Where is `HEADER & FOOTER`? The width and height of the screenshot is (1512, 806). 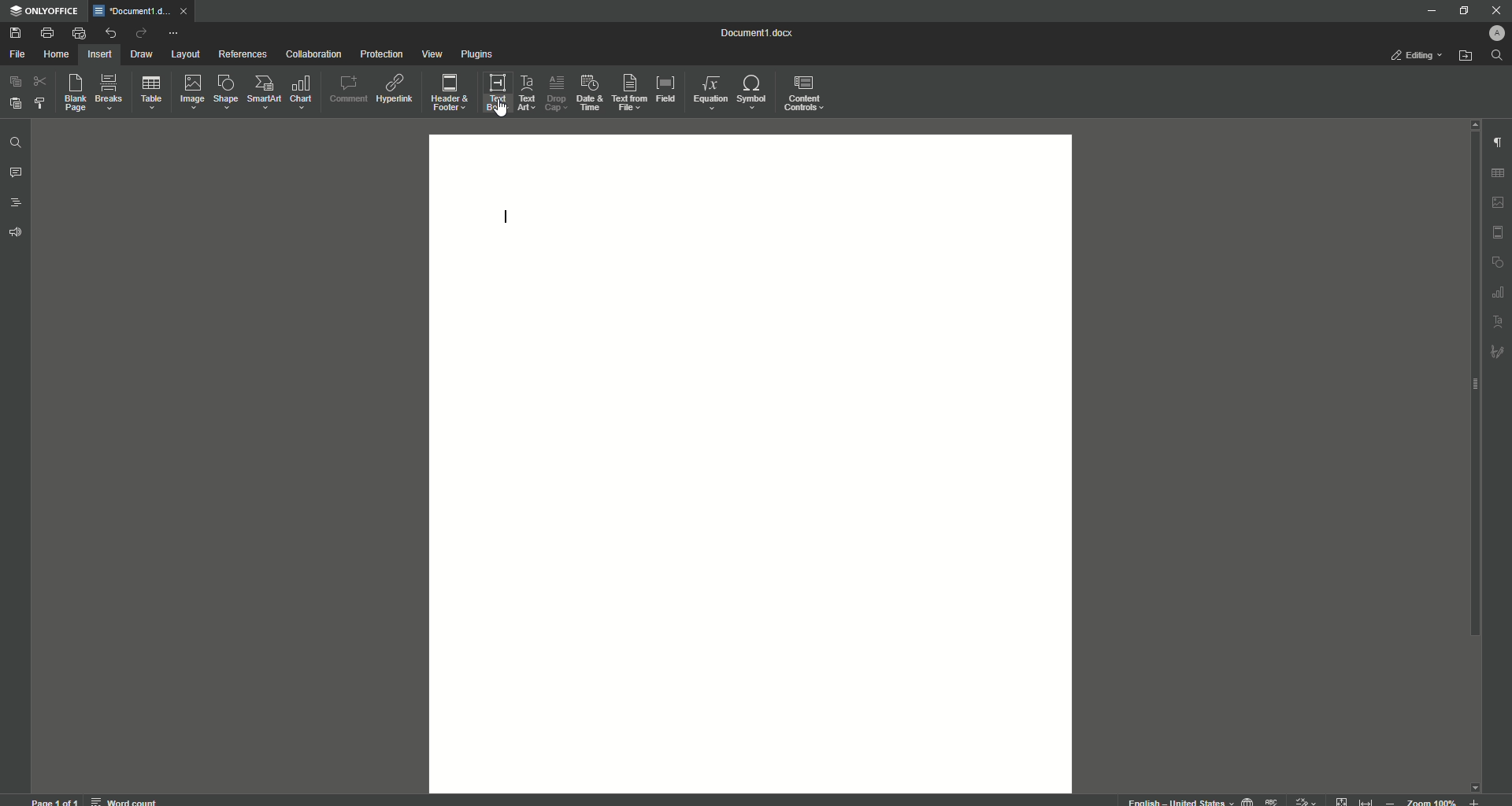 HEADER & FOOTER is located at coordinates (1498, 233).